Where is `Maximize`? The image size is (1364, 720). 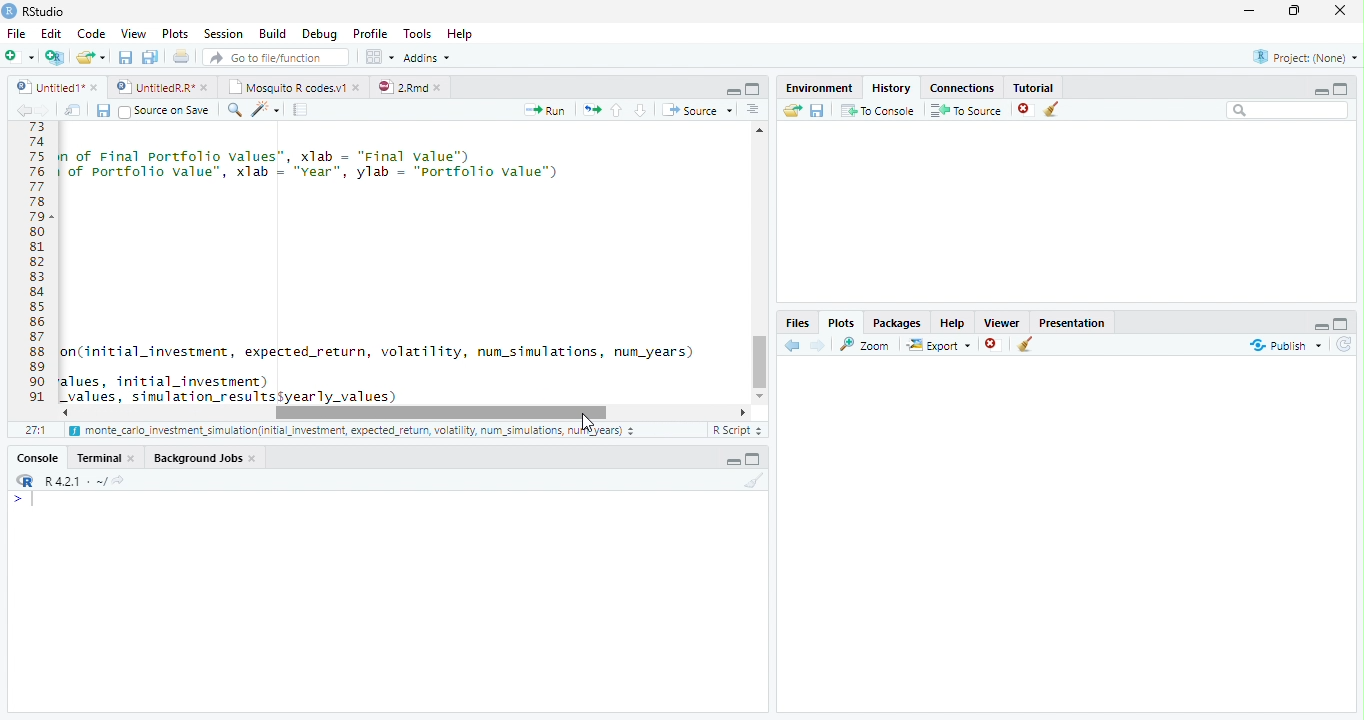 Maximize is located at coordinates (1299, 12).